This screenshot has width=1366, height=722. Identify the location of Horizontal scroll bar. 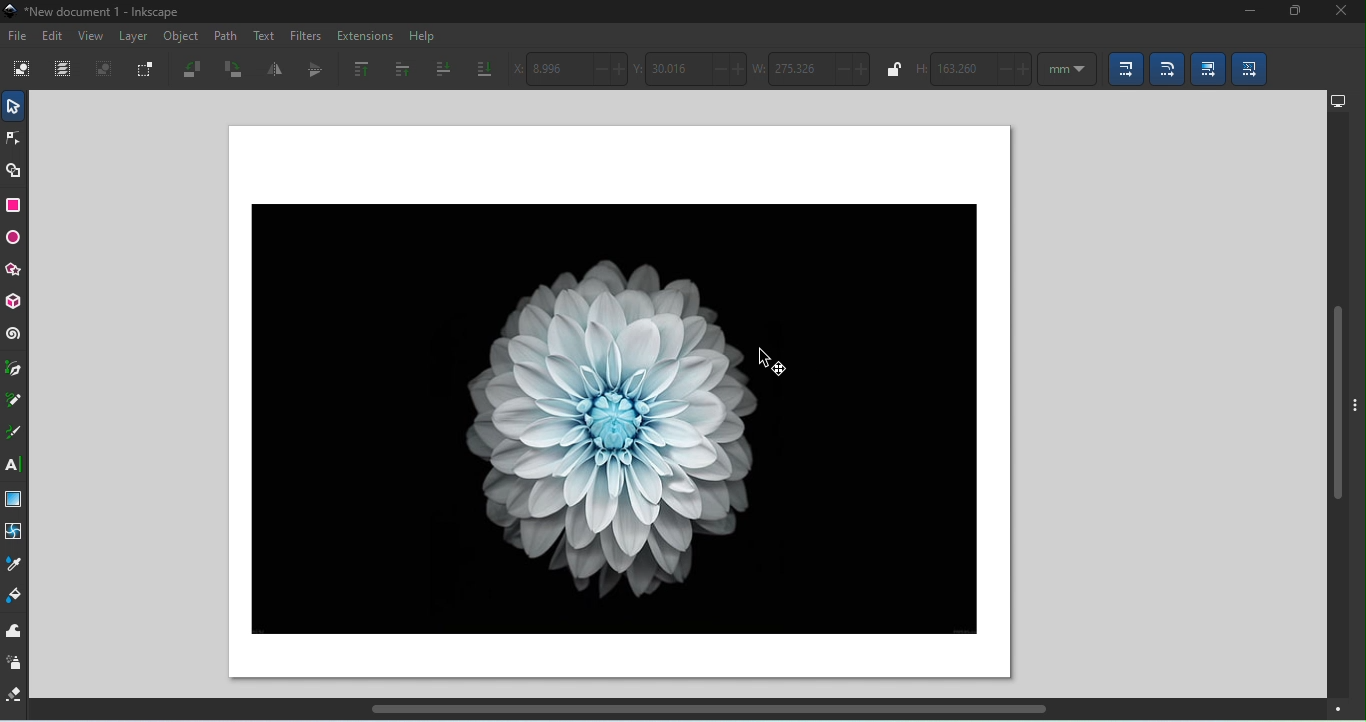
(706, 713).